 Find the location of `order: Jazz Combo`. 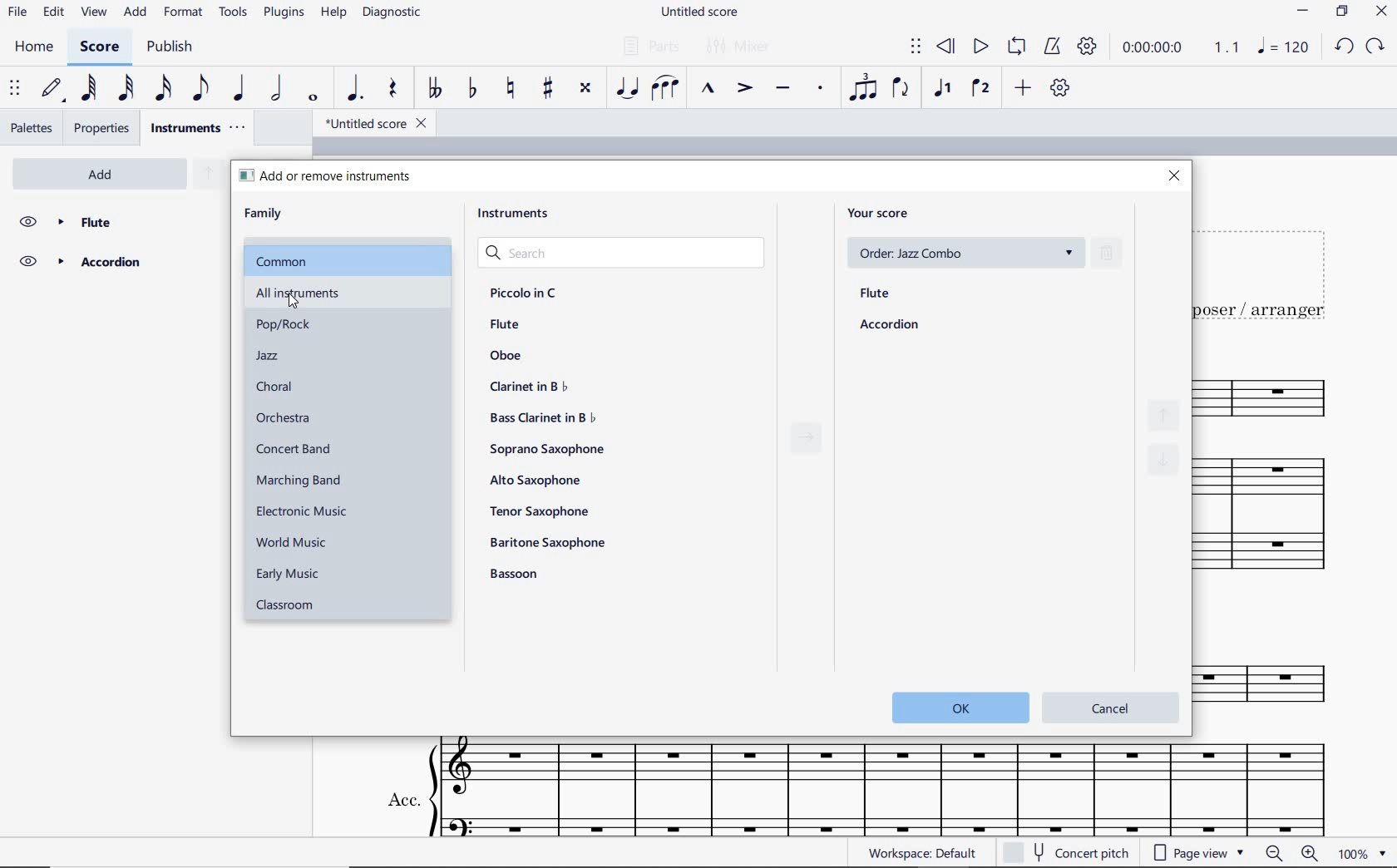

order: Jazz Combo is located at coordinates (964, 252).